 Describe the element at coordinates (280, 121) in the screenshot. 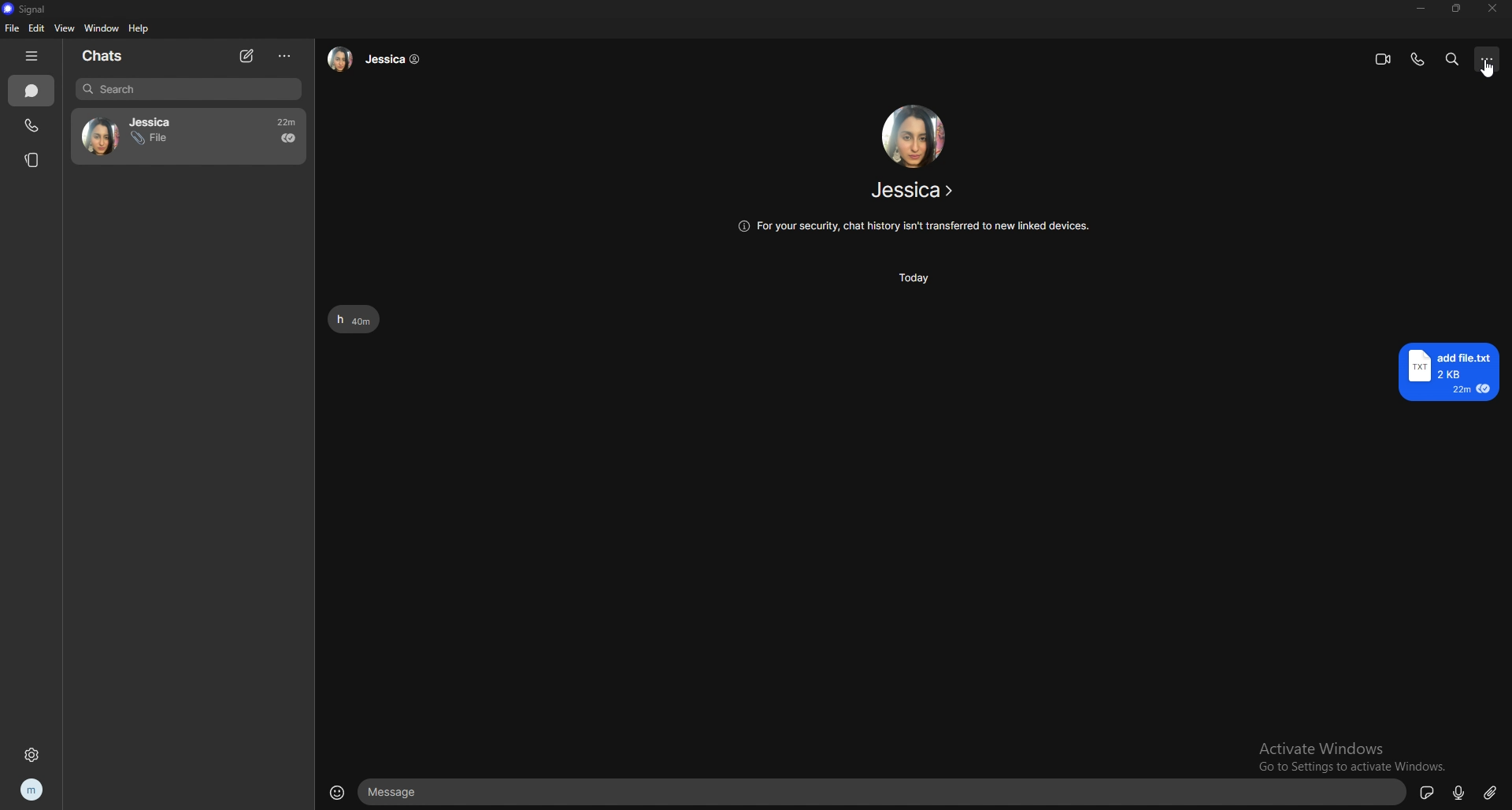

I see `22m` at that location.